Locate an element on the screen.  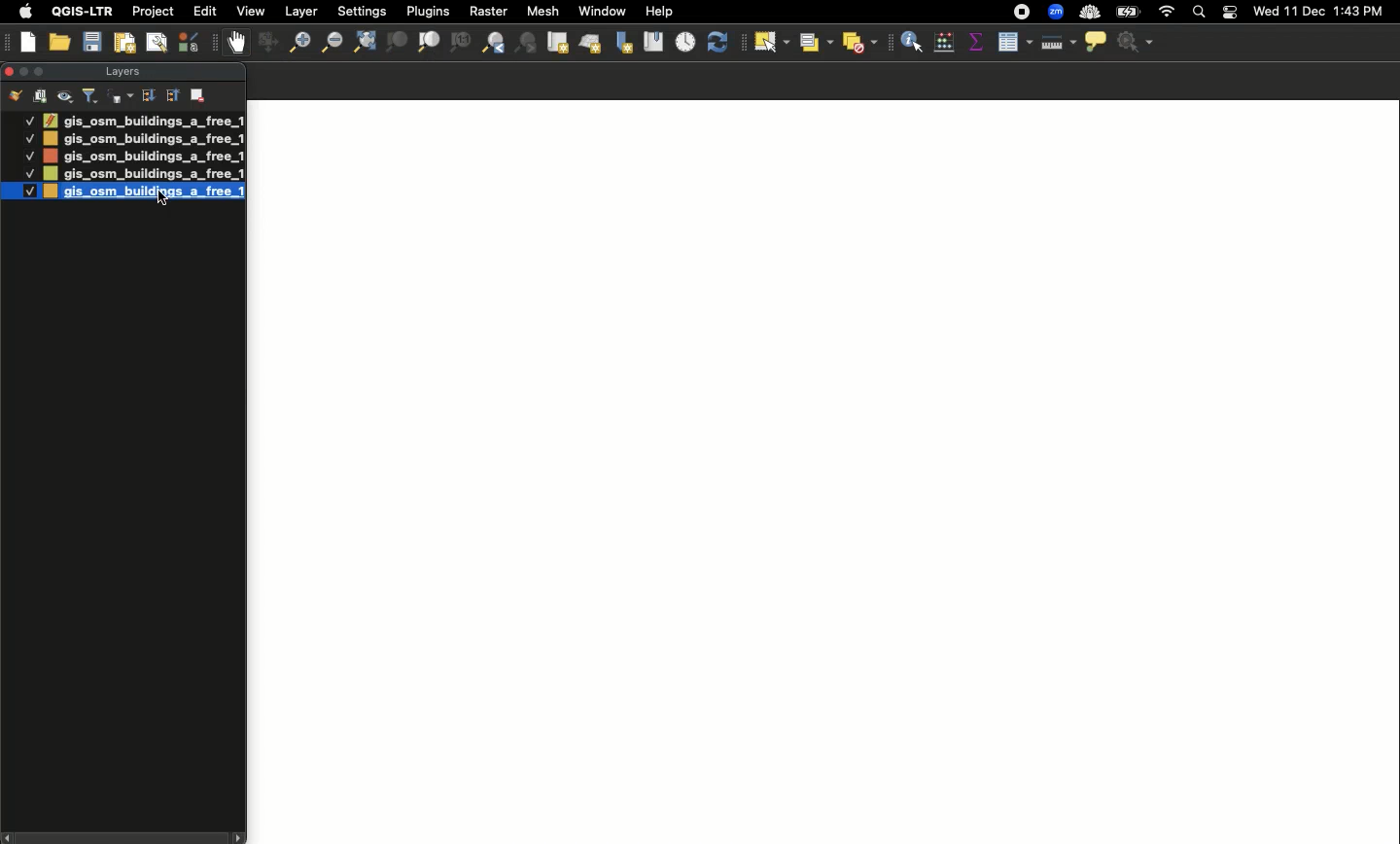
Cursor is located at coordinates (158, 197).